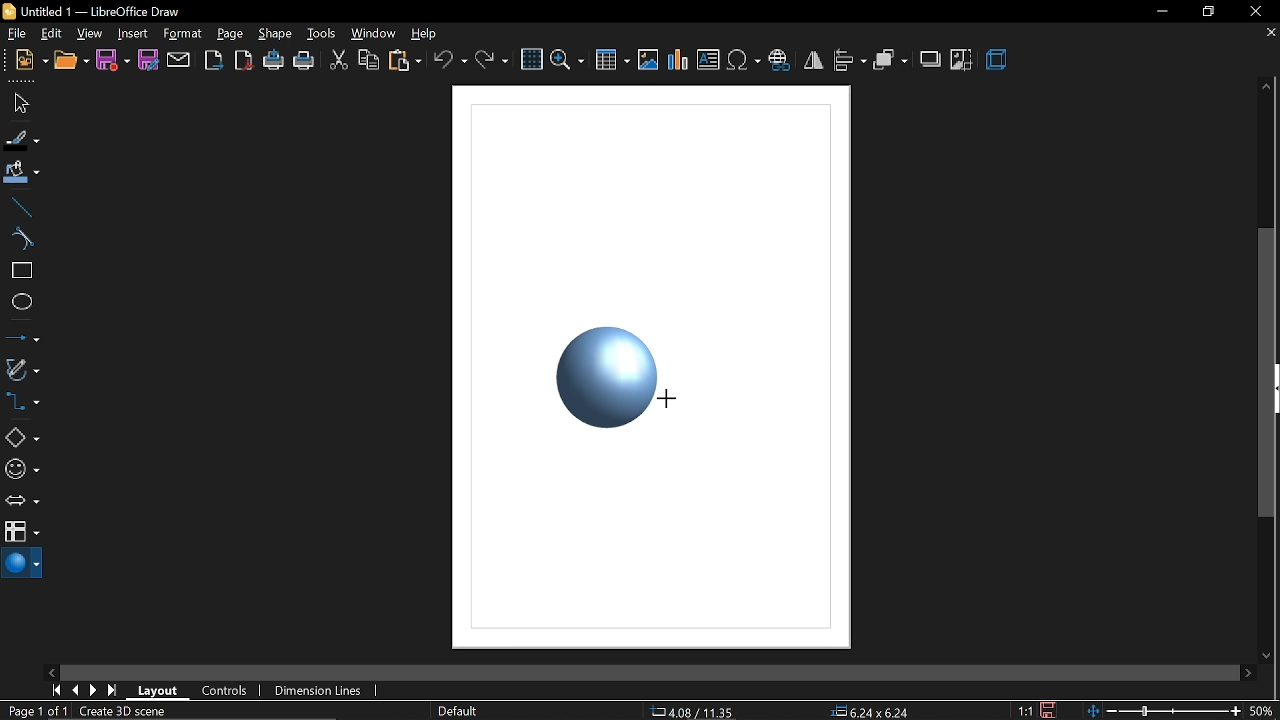 This screenshot has width=1280, height=720. Describe the element at coordinates (450, 59) in the screenshot. I see `undo` at that location.